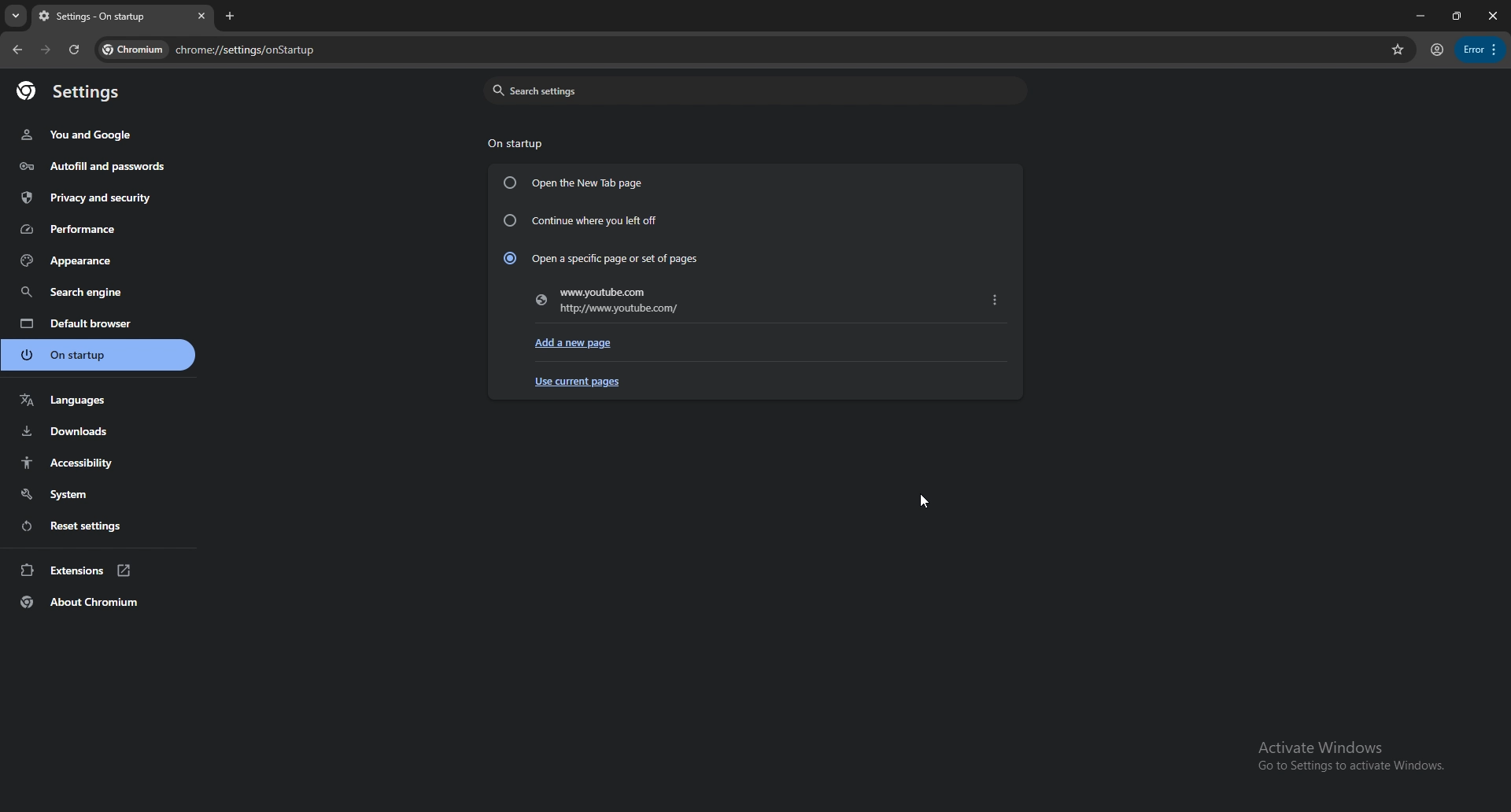 The width and height of the screenshot is (1511, 812). I want to click on privacy and security, so click(91, 197).